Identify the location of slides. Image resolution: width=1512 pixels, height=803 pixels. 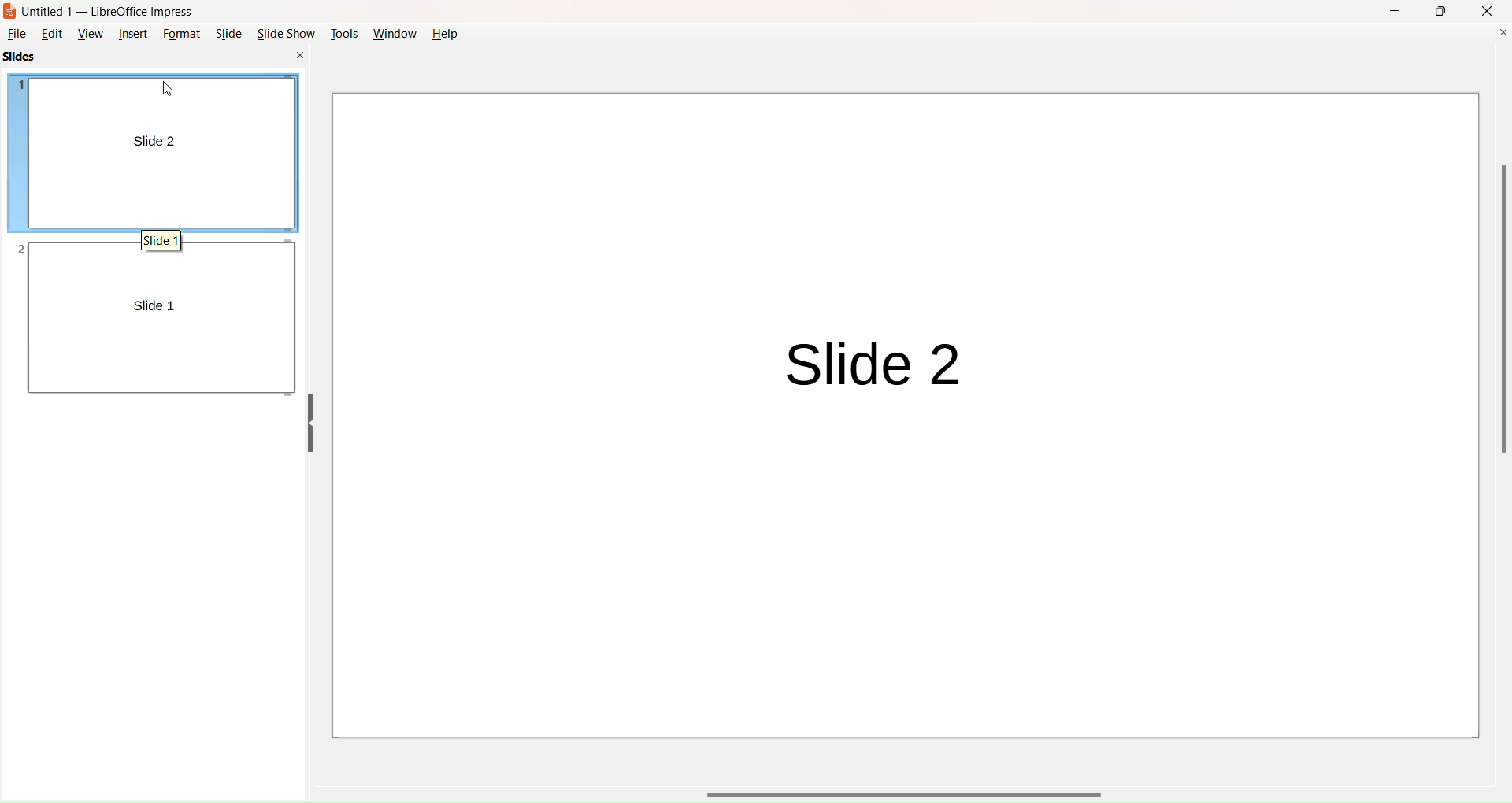
(29, 55).